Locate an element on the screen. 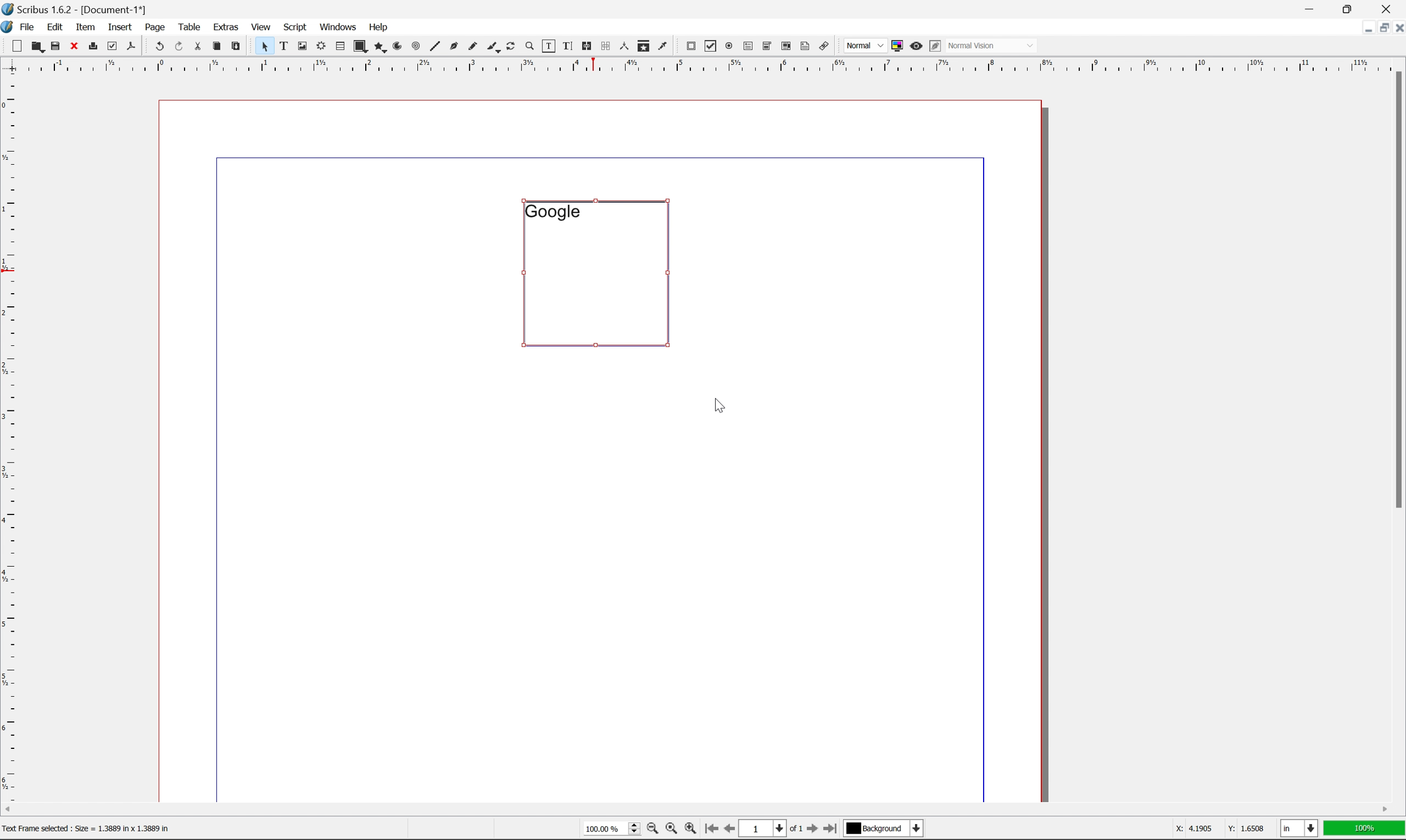 The height and width of the screenshot is (840, 1406). text annotation is located at coordinates (805, 46).